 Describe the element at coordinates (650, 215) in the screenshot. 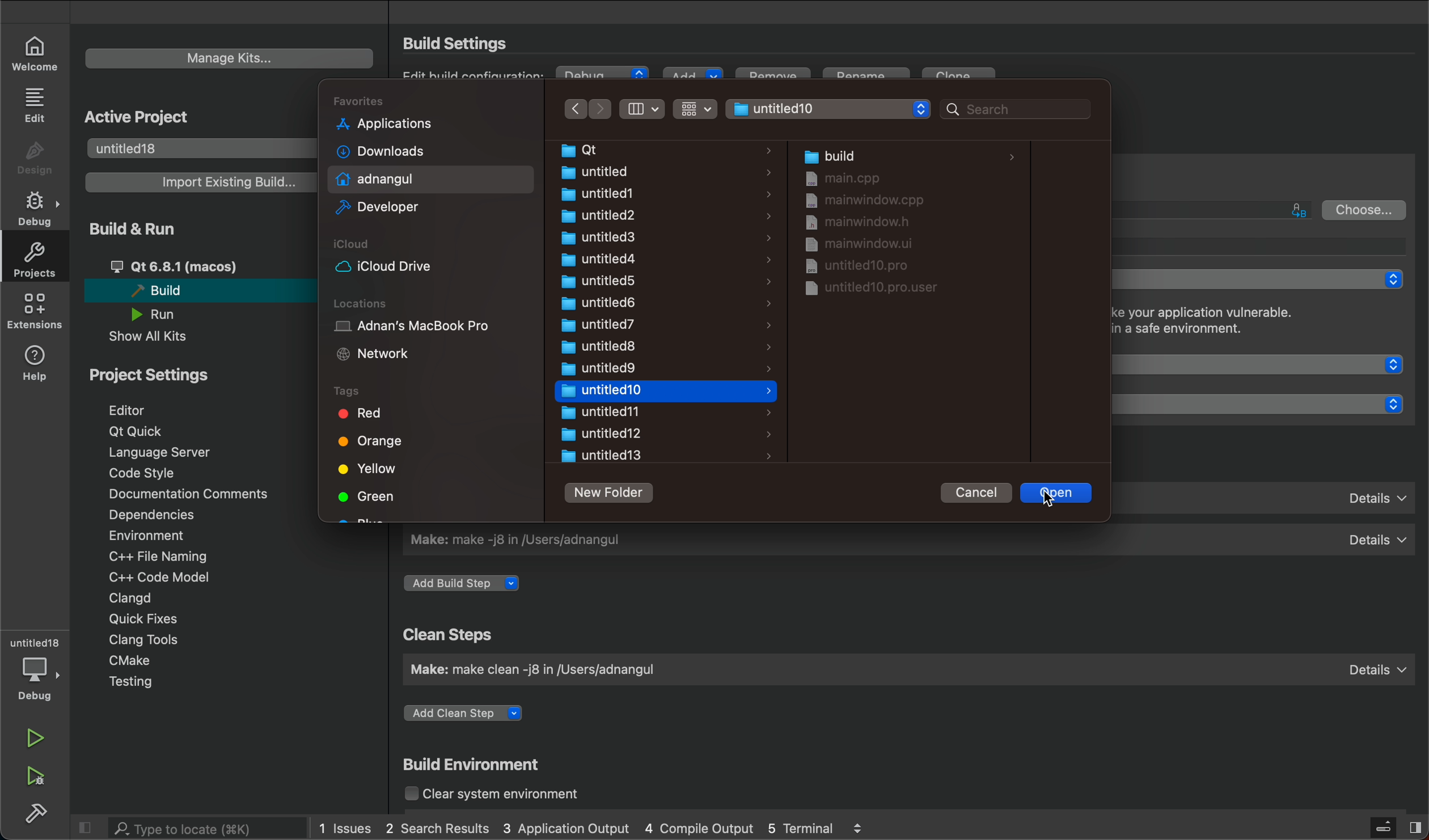

I see `untitled2` at that location.